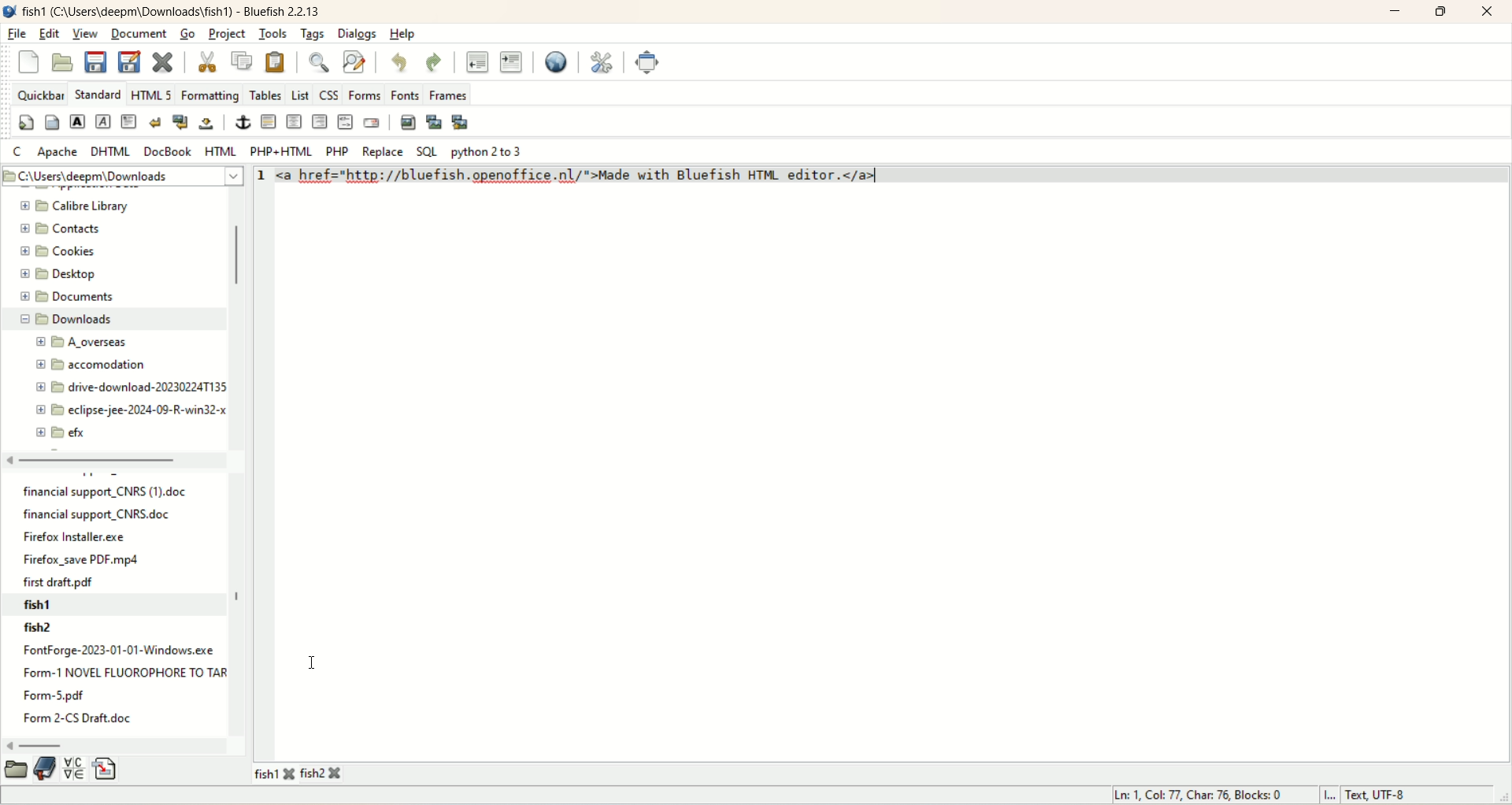 The width and height of the screenshot is (1512, 805). Describe the element at coordinates (28, 63) in the screenshot. I see `new` at that location.